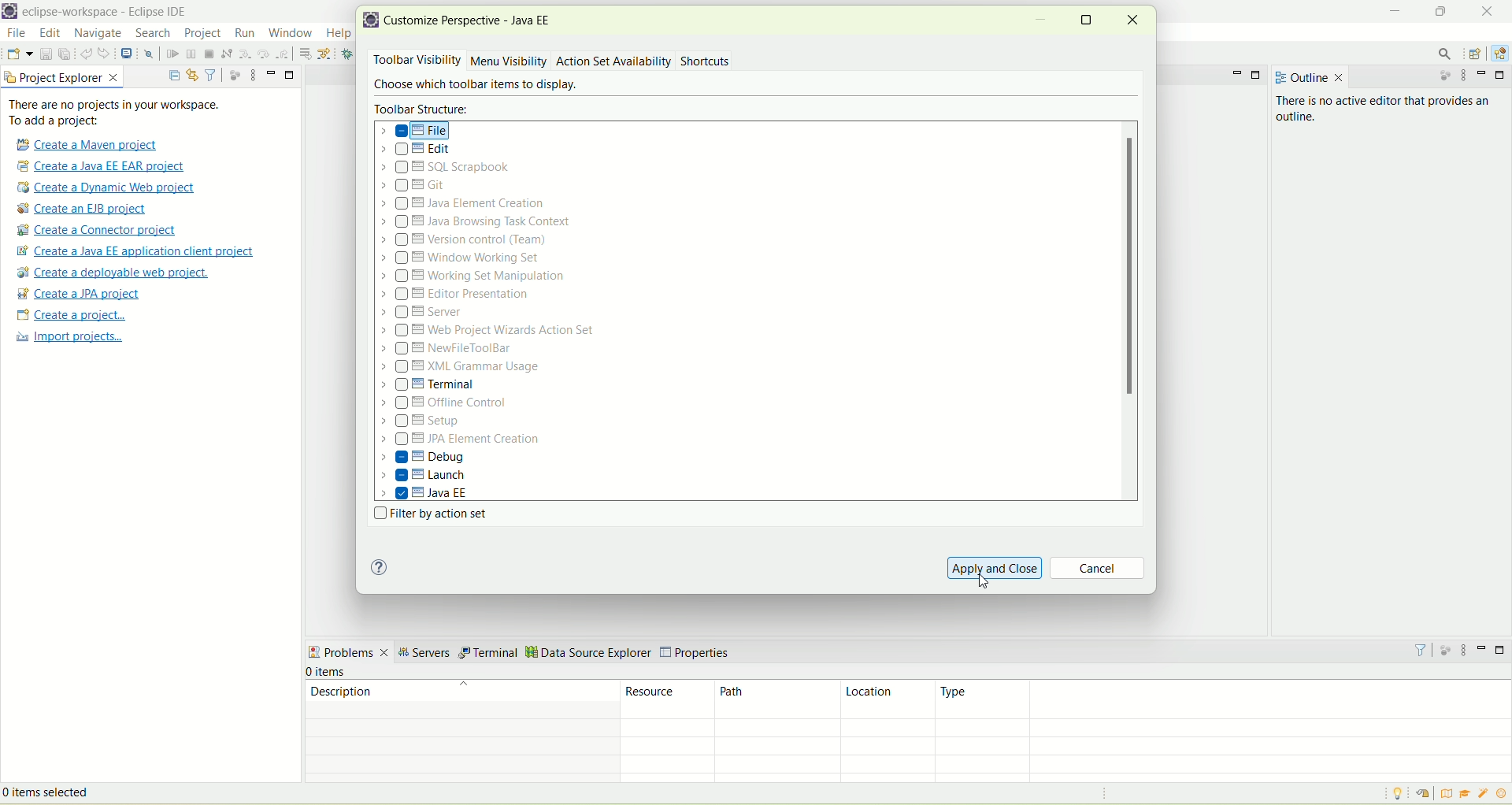  What do you see at coordinates (1358, 121) in the screenshot?
I see `There is no active editor that provides an outline.` at bounding box center [1358, 121].